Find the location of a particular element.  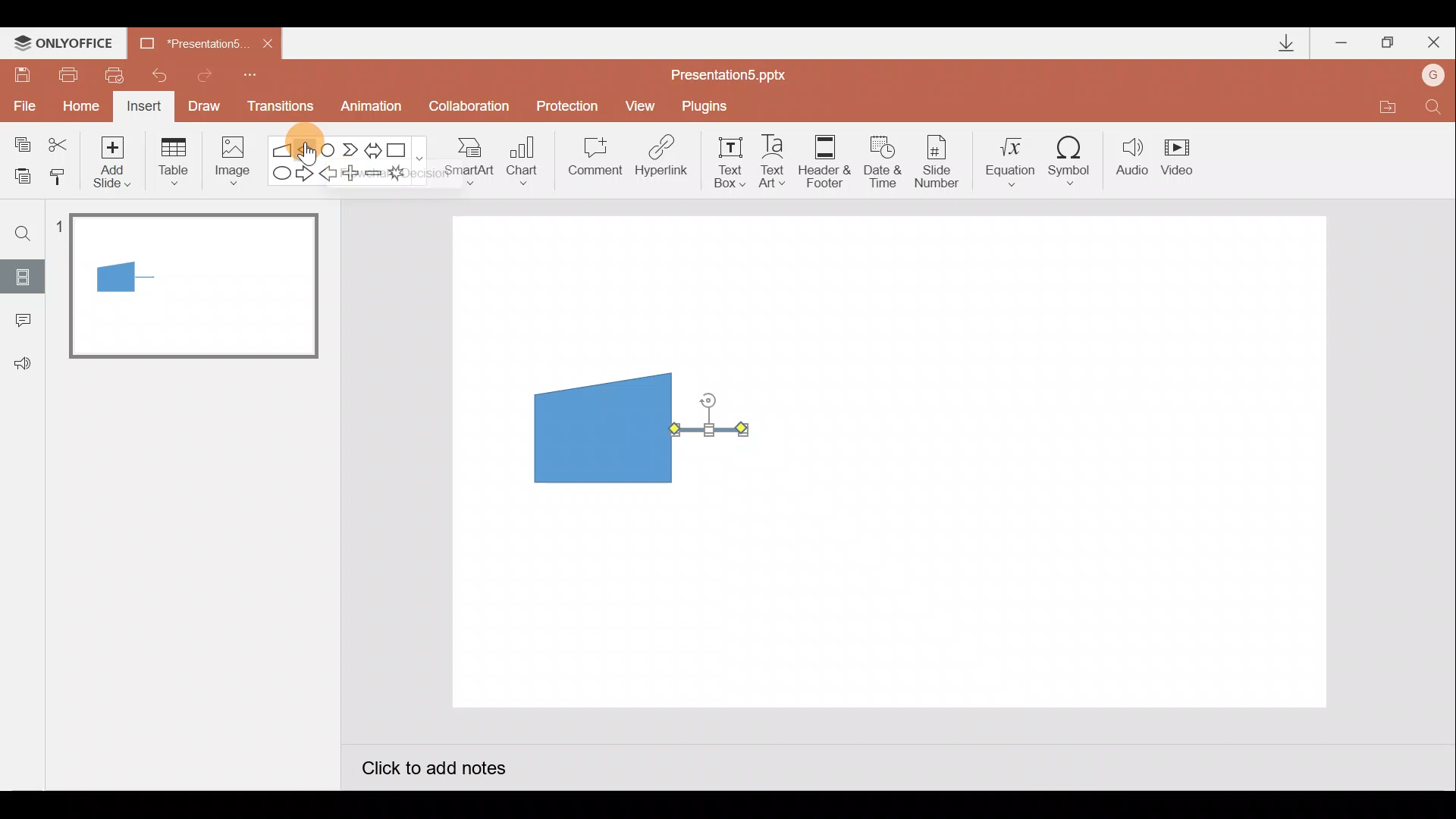

Close is located at coordinates (268, 44).